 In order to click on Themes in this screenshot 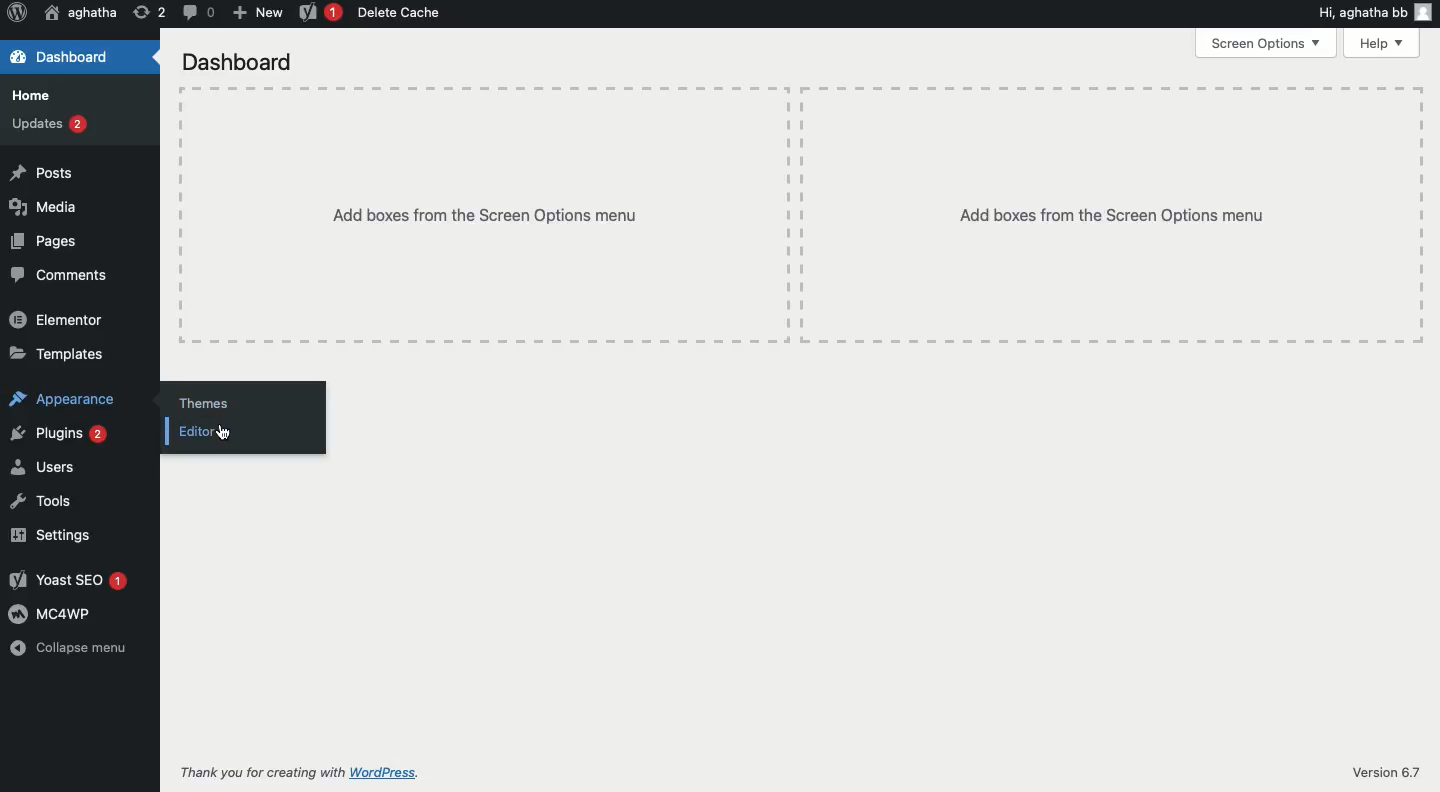, I will do `click(211, 402)`.